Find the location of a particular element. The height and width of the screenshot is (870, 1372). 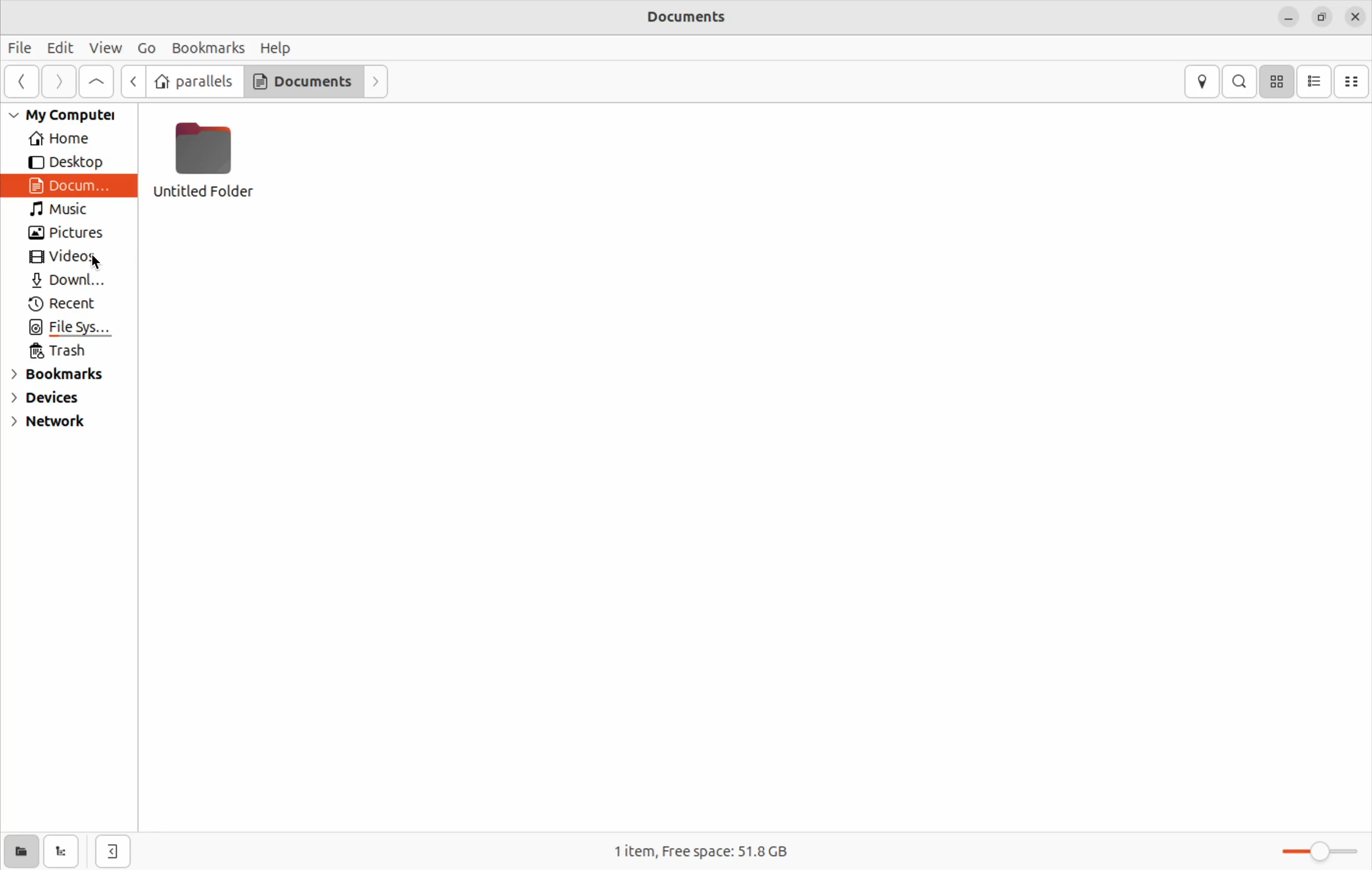

Videos is located at coordinates (69, 256).